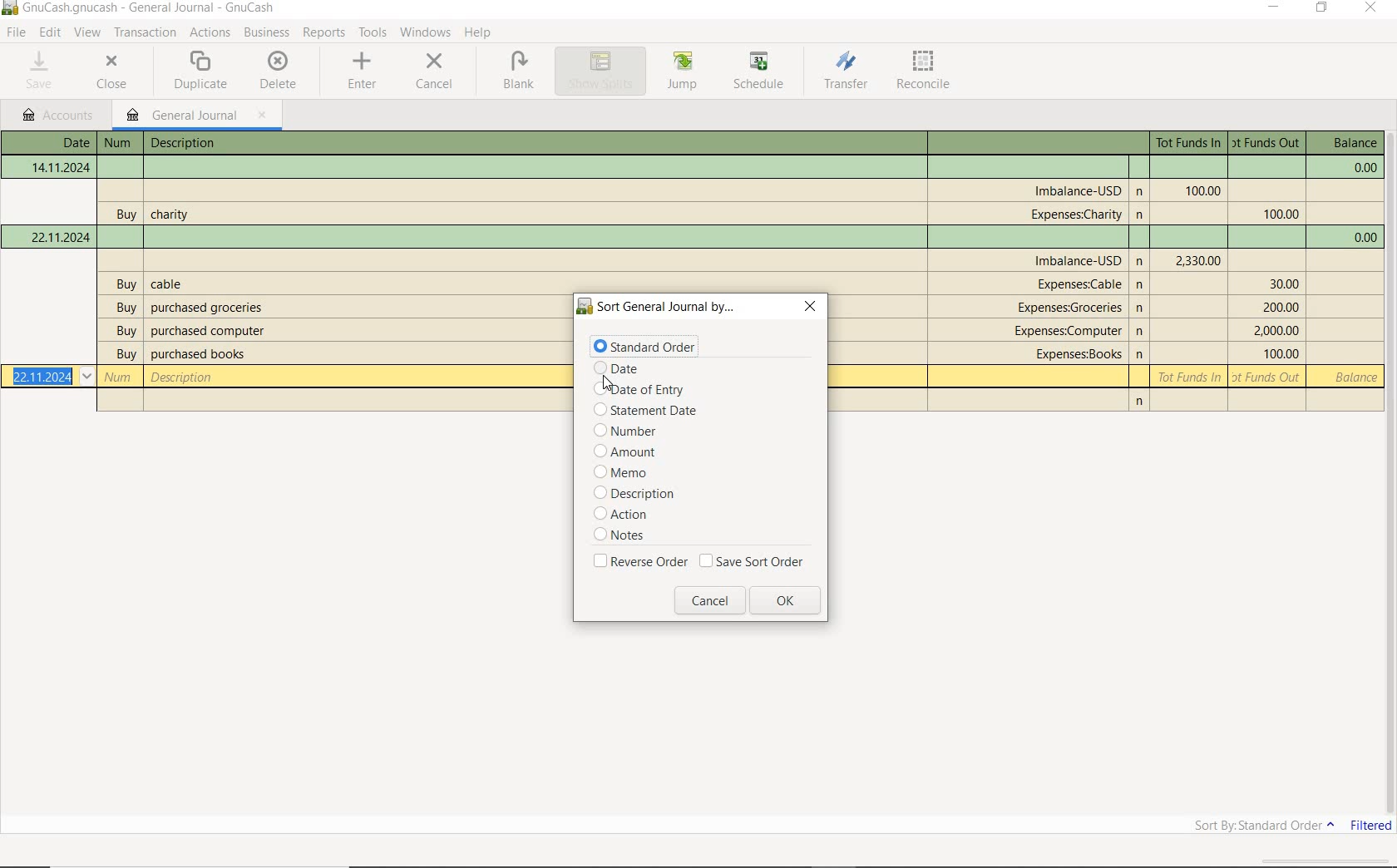 This screenshot has height=868, width=1397. I want to click on balance, so click(1361, 238).